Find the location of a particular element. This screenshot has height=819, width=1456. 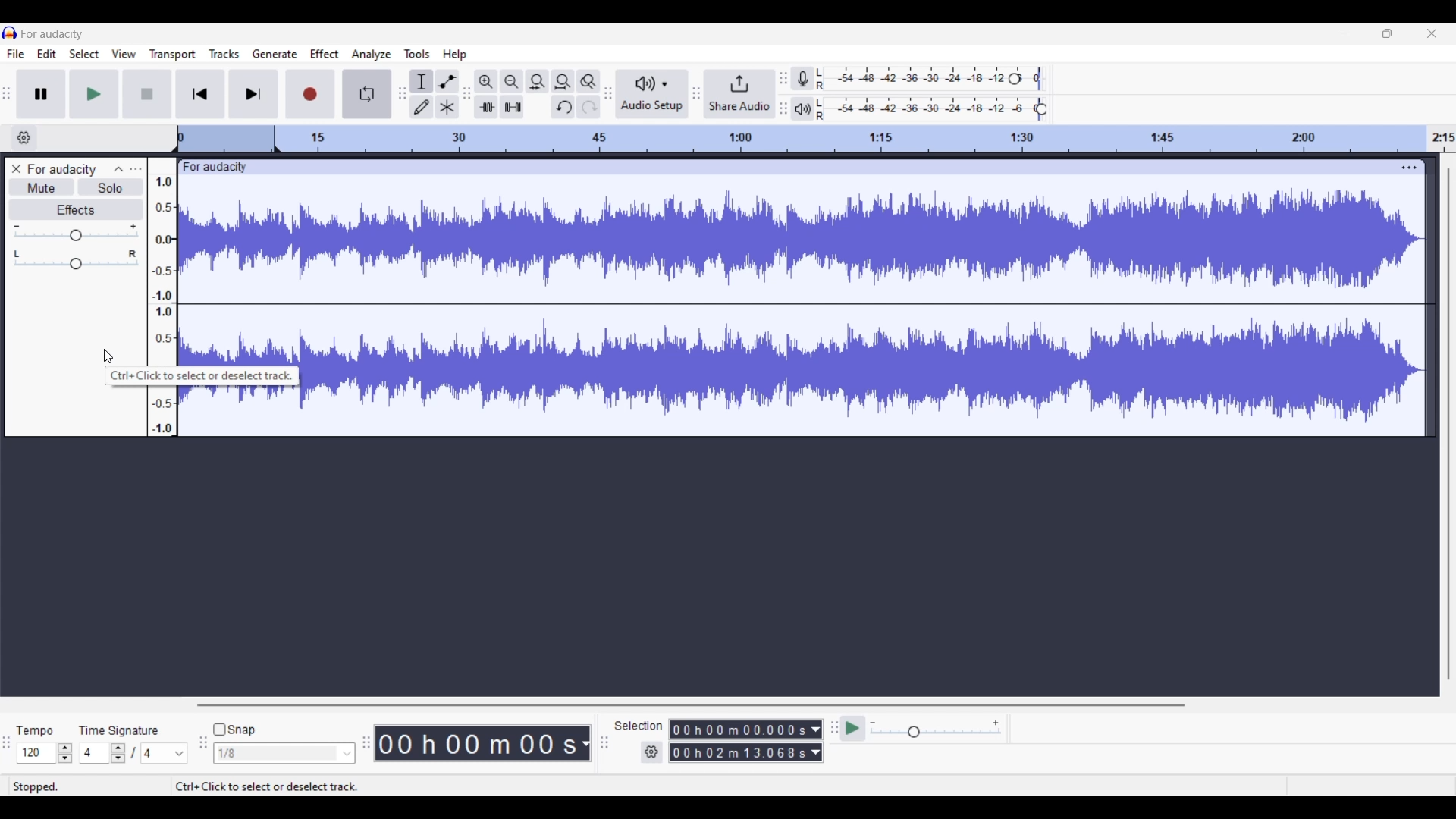

Selection duration measurement is located at coordinates (815, 741).